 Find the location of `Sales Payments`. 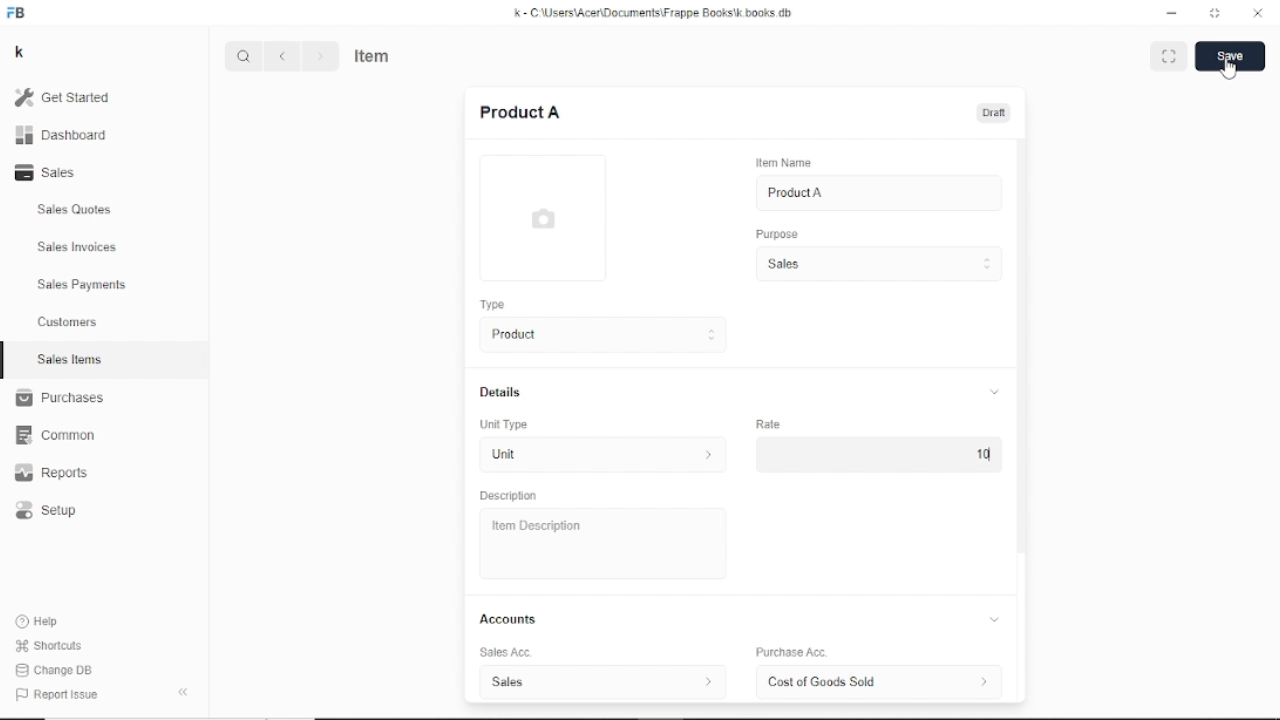

Sales Payments is located at coordinates (83, 284).